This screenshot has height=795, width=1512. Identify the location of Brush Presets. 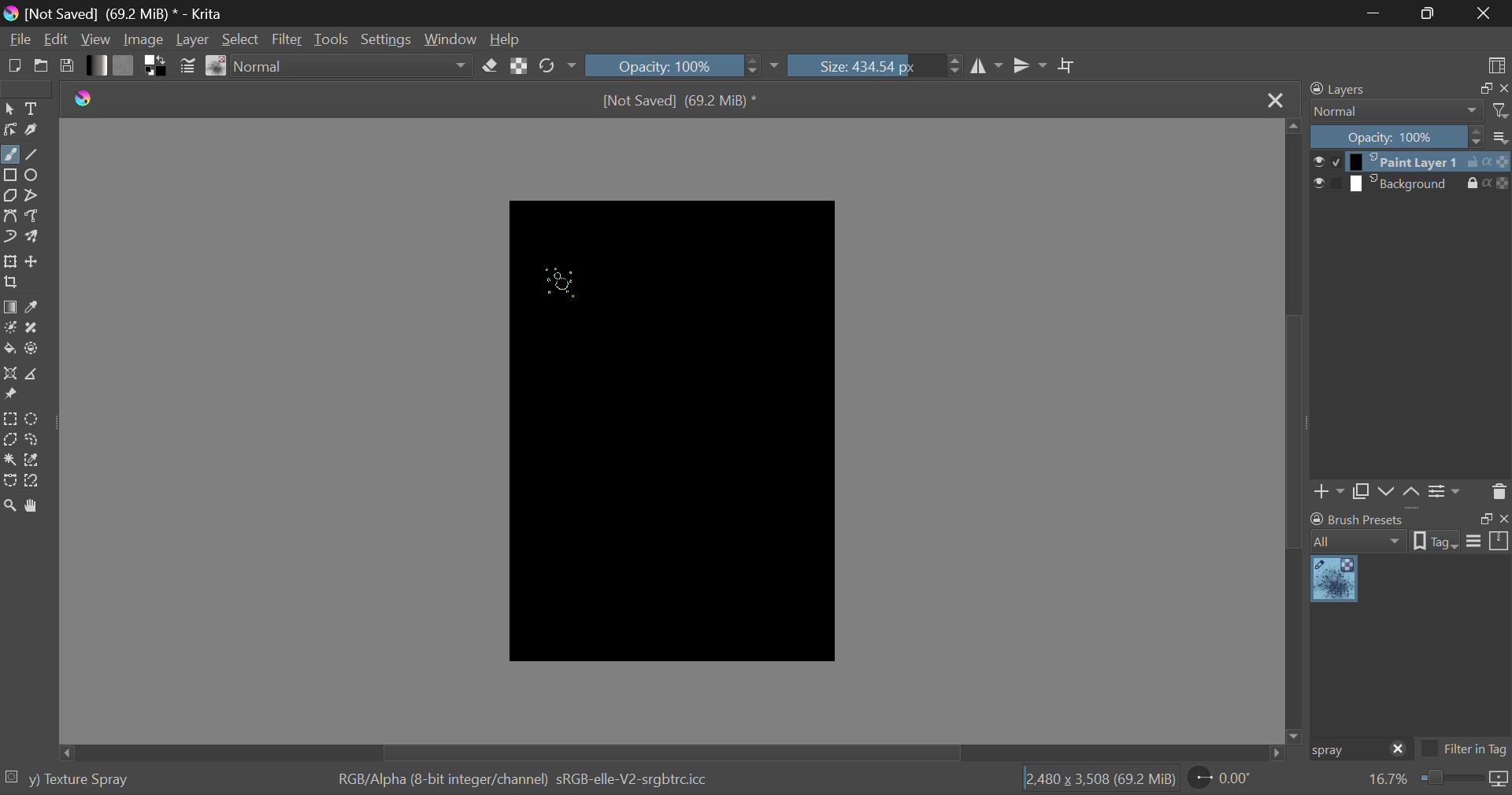
(217, 66).